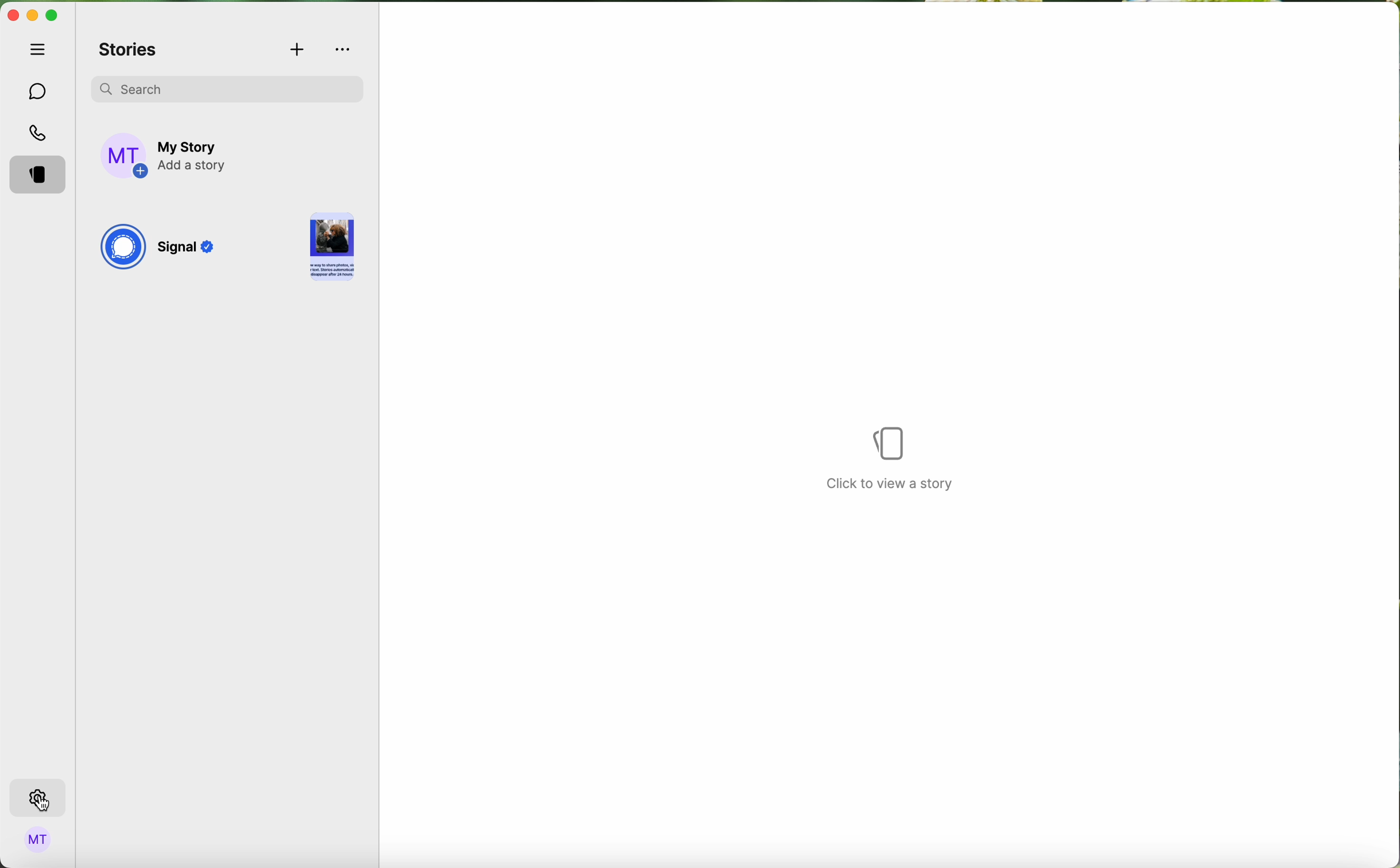 This screenshot has height=868, width=1400. I want to click on stories, so click(129, 51).